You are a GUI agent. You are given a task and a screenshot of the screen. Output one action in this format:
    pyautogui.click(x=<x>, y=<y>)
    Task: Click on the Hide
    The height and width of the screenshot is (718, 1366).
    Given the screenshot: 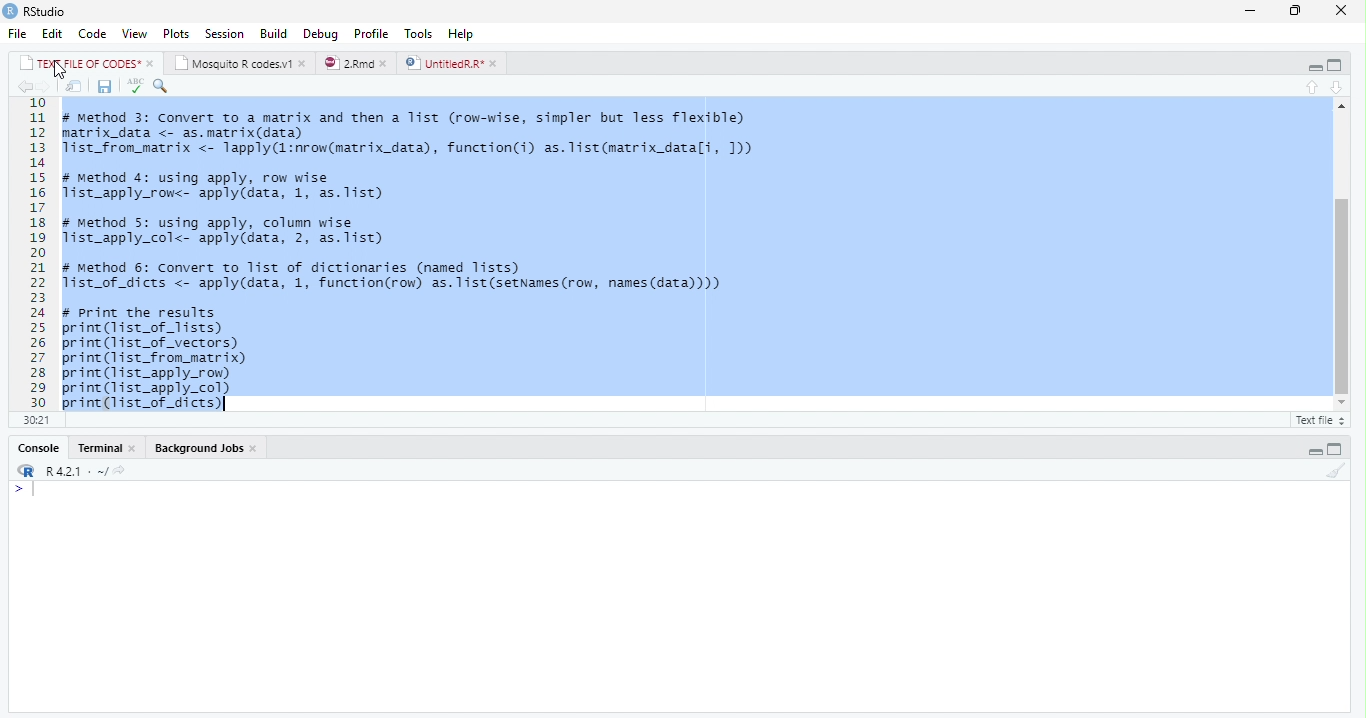 What is the action you would take?
    pyautogui.click(x=1312, y=66)
    